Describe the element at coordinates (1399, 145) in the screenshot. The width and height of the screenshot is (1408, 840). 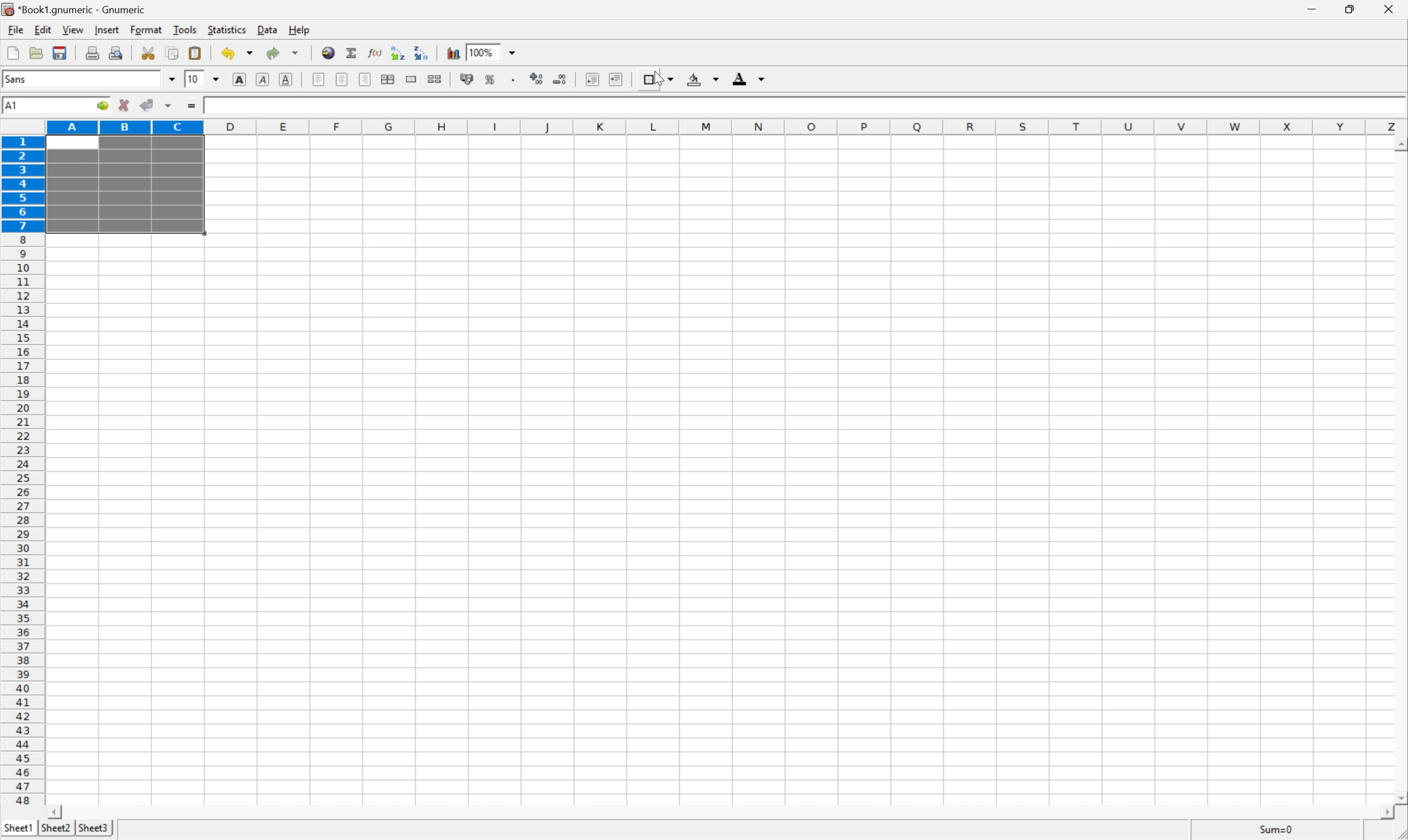
I see `scroll up` at that location.